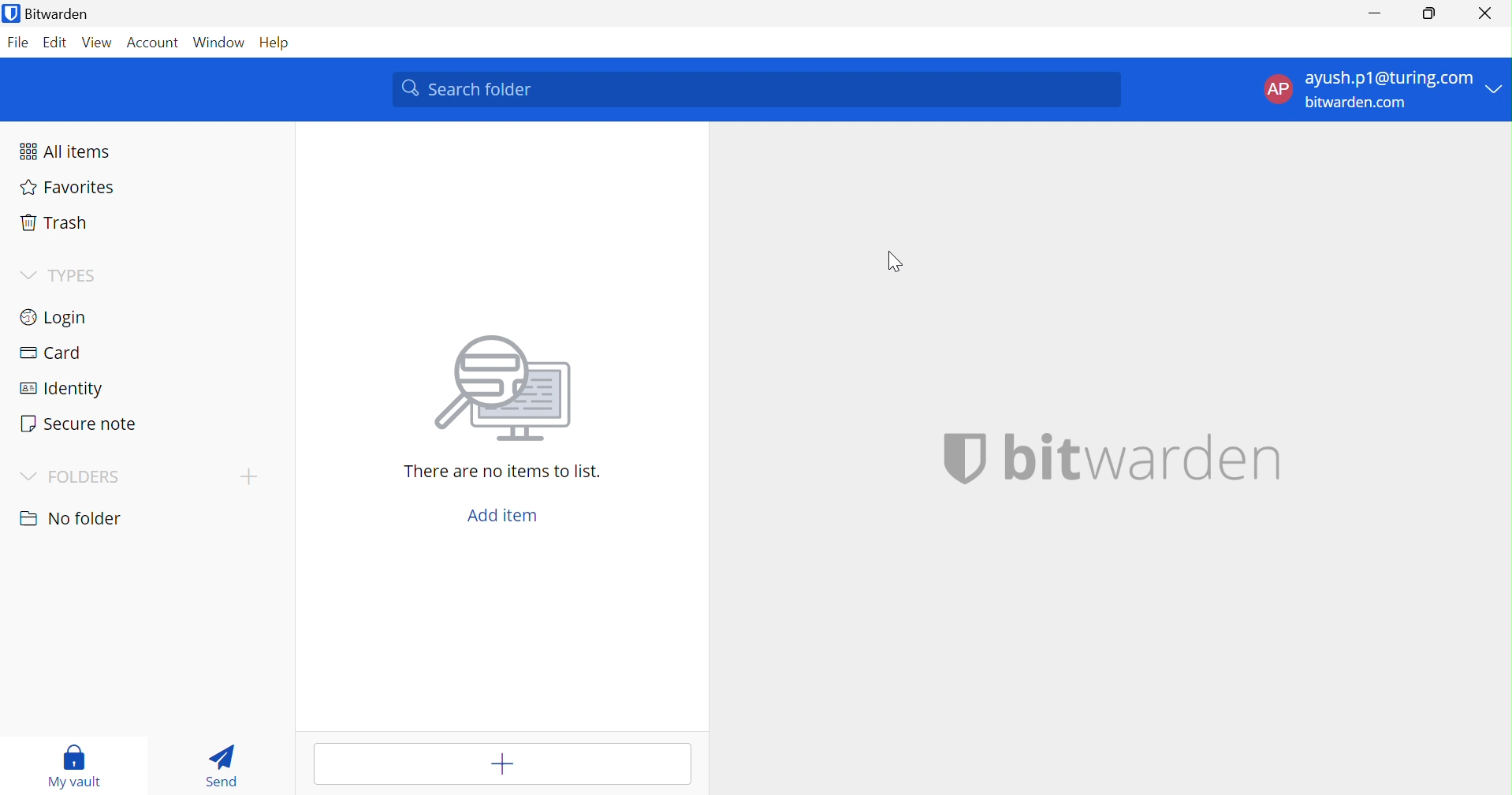  Describe the element at coordinates (74, 518) in the screenshot. I see `No folder` at that location.